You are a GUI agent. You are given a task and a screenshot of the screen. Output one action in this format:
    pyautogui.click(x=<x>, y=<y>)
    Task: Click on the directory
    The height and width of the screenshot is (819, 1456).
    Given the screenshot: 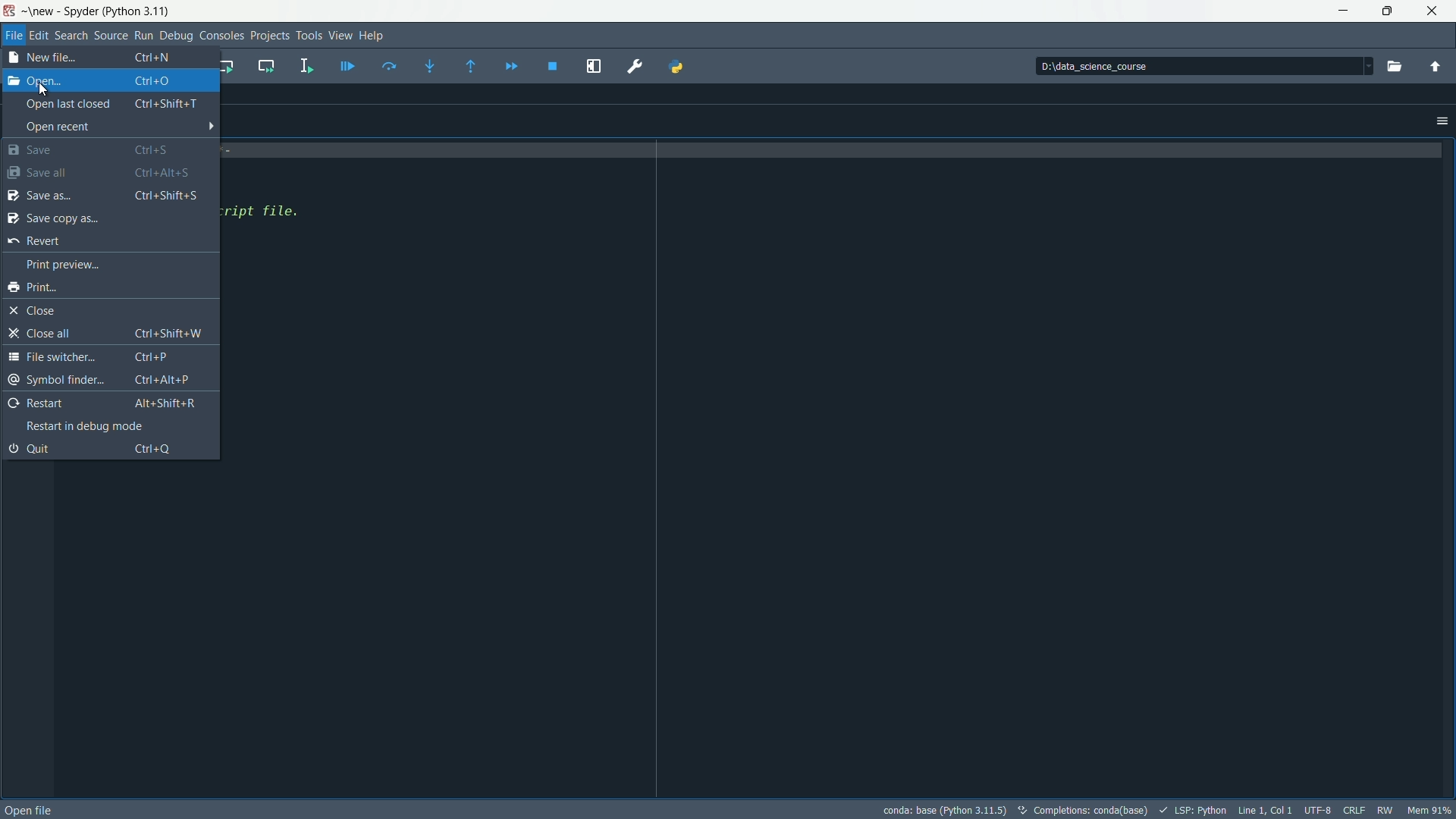 What is the action you would take?
    pyautogui.click(x=1200, y=66)
    